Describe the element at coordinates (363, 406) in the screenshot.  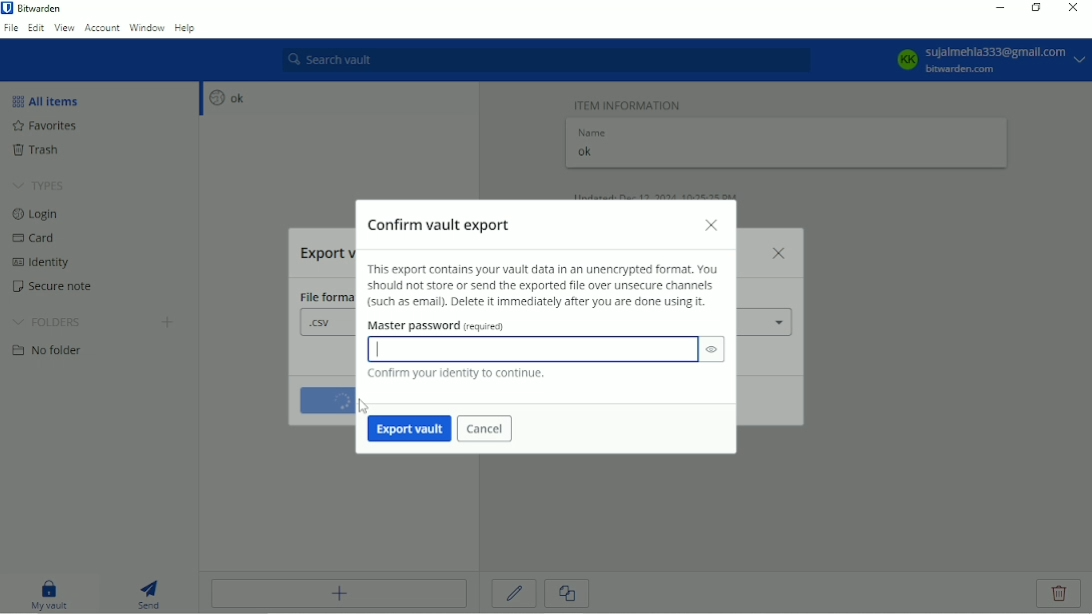
I see `Cursor` at that location.